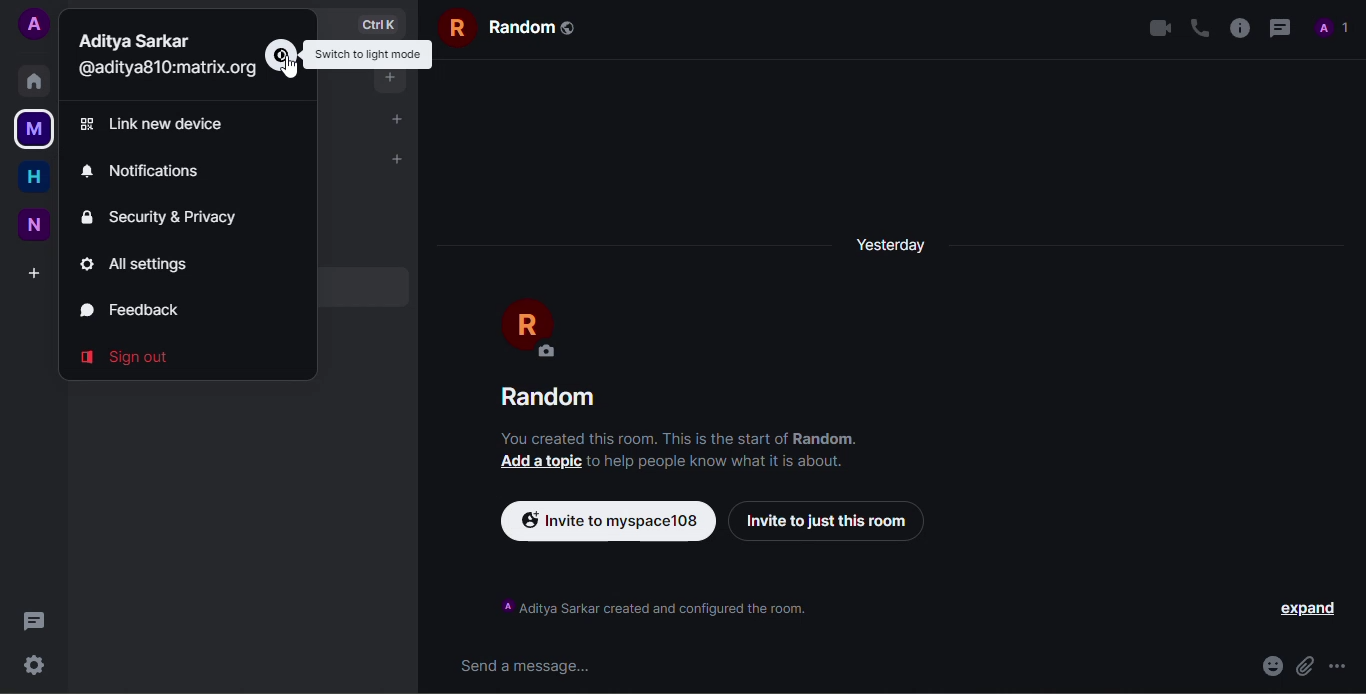  Describe the element at coordinates (1309, 608) in the screenshot. I see `expand` at that location.